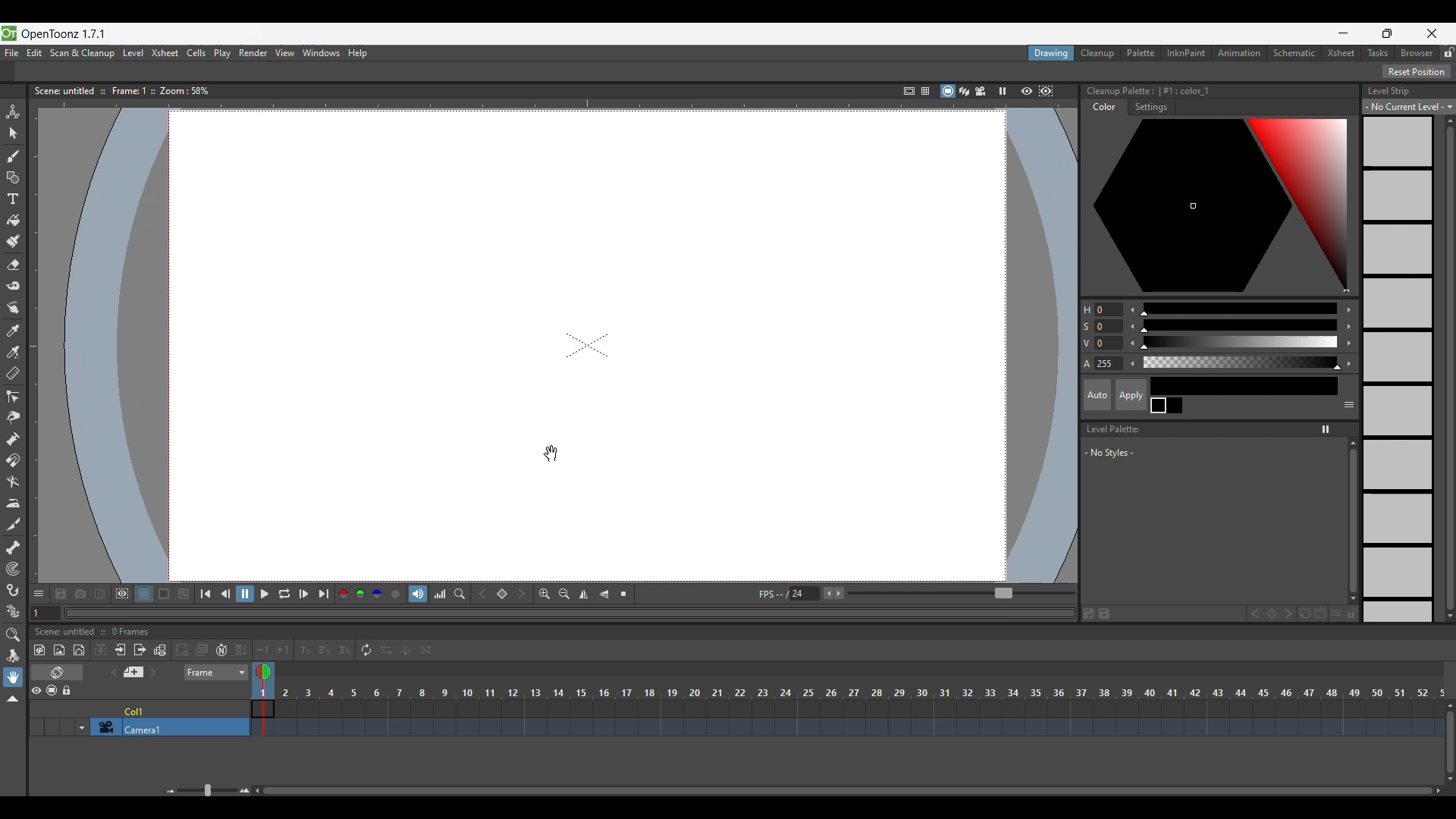 This screenshot has width=1456, height=819. Describe the element at coordinates (1449, 369) in the screenshot. I see `Vertical slide bar` at that location.